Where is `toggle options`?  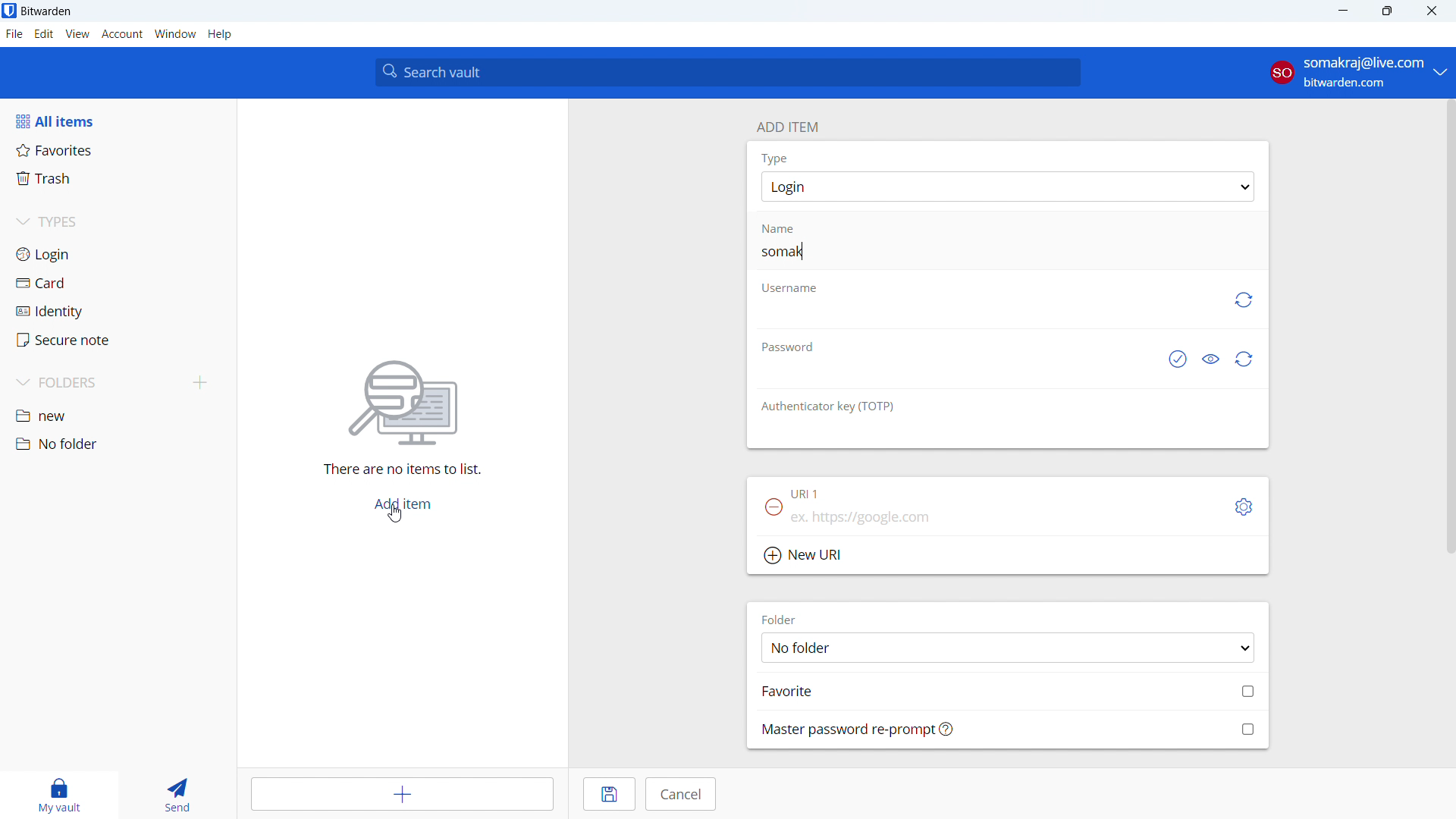 toggle options is located at coordinates (1244, 507).